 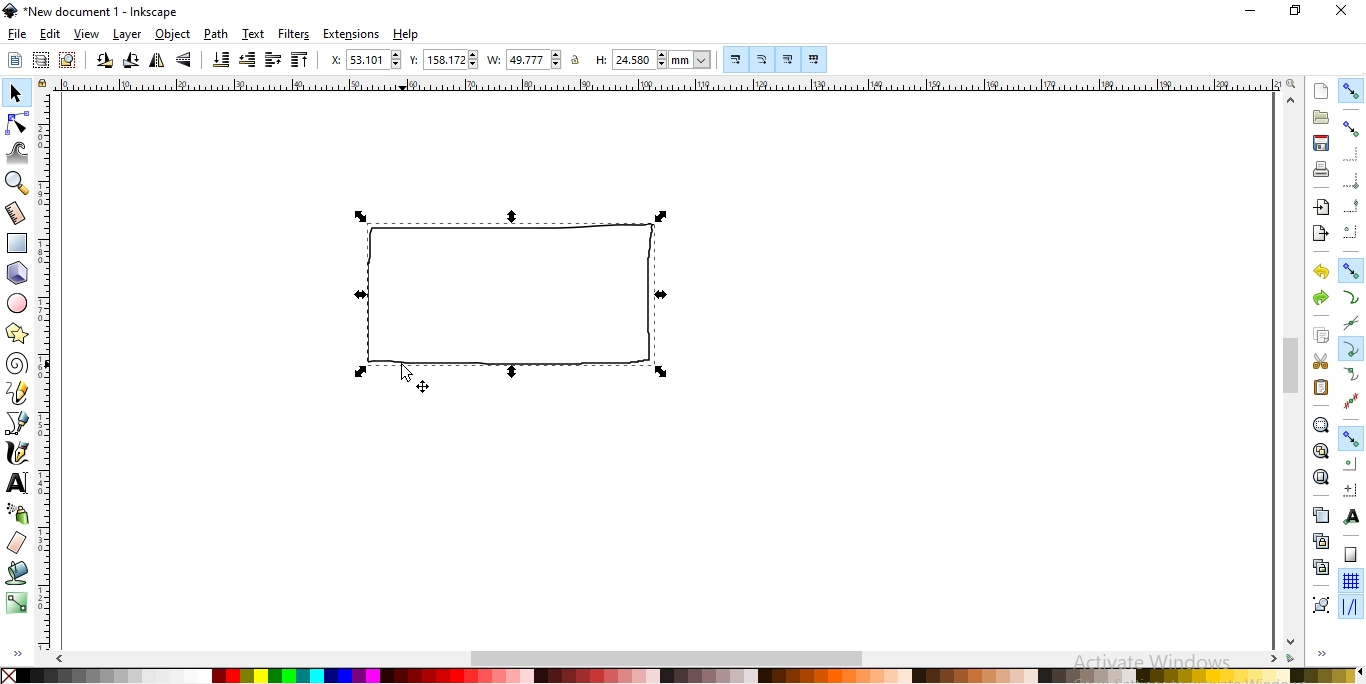 What do you see at coordinates (1320, 515) in the screenshot?
I see `create a dupllicate` at bounding box center [1320, 515].